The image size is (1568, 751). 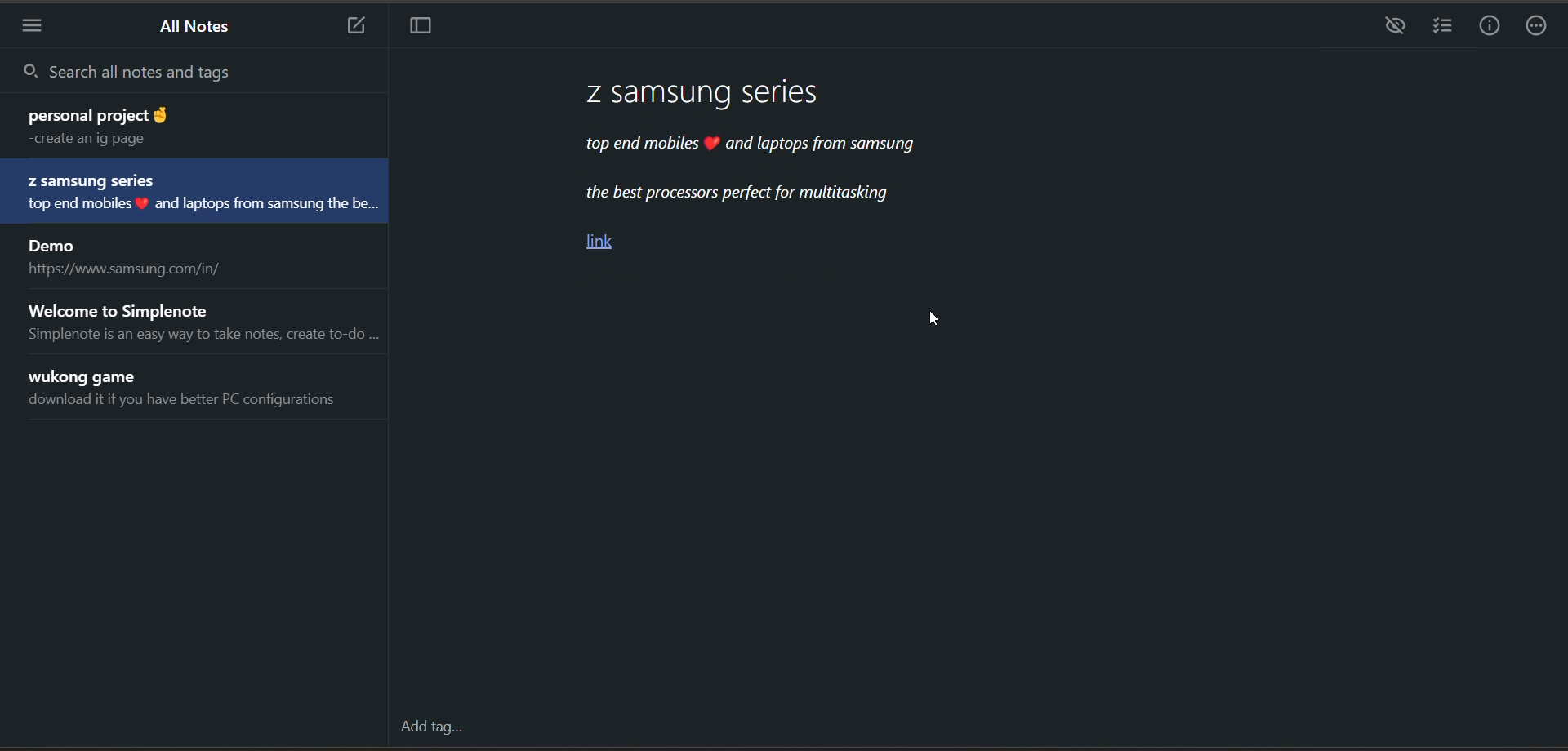 What do you see at coordinates (191, 392) in the screenshot?
I see `note title and preview` at bounding box center [191, 392].